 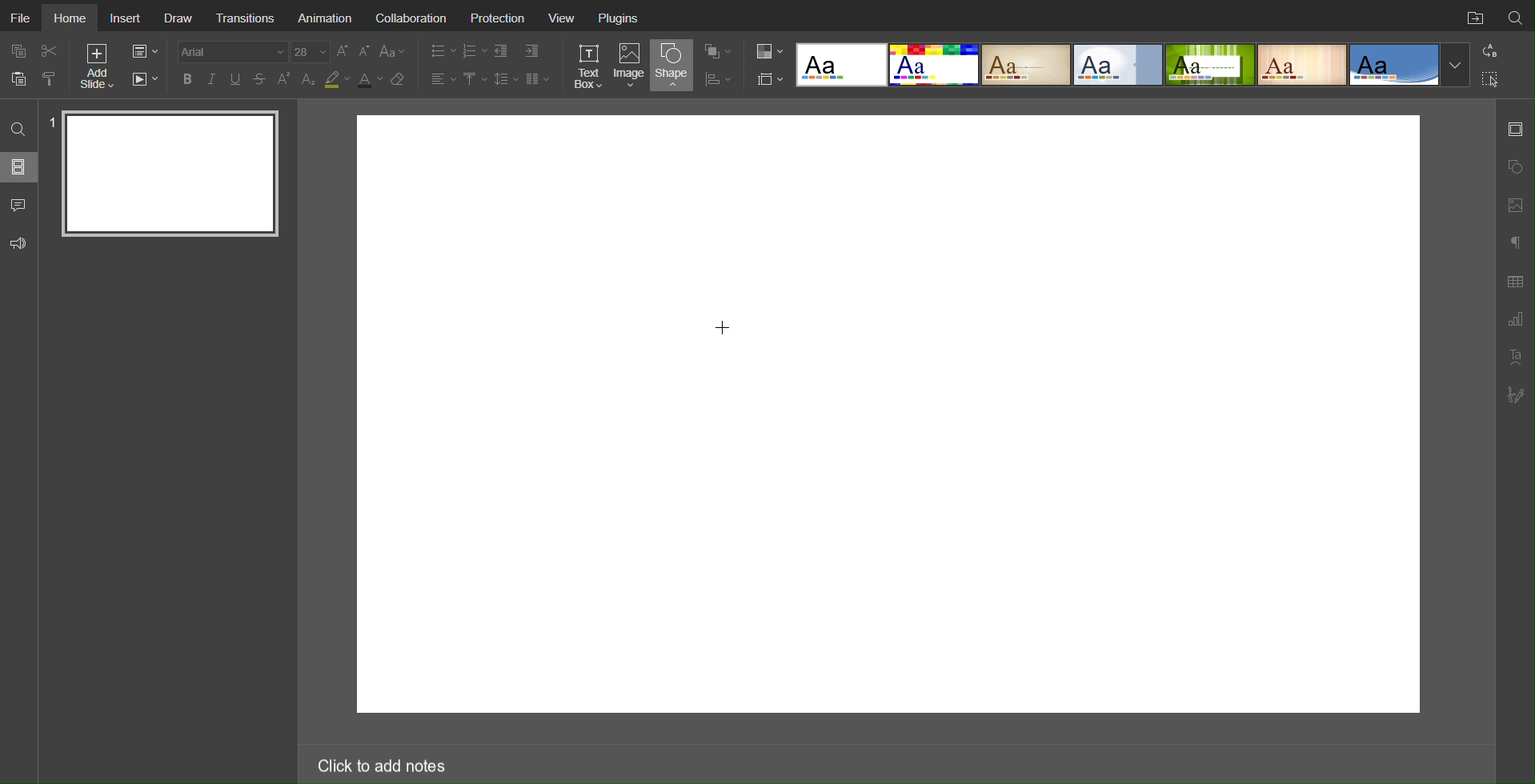 What do you see at coordinates (587, 66) in the screenshot?
I see `Text Box` at bounding box center [587, 66].